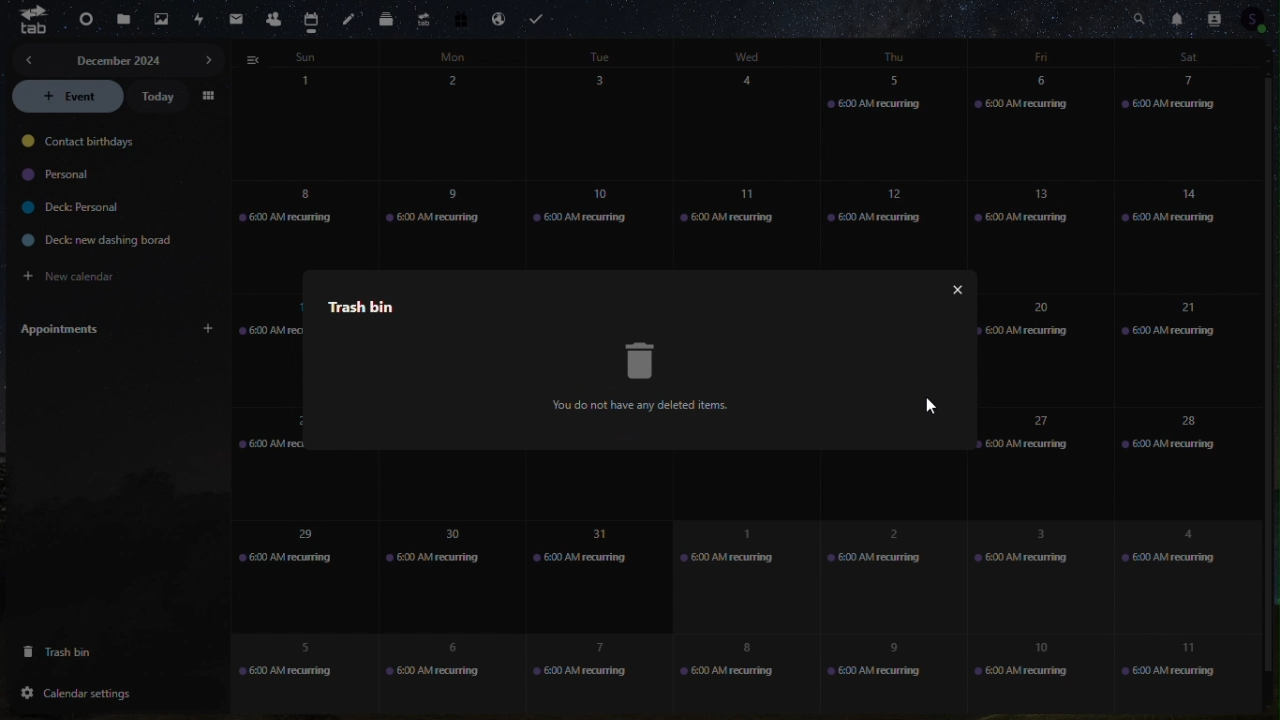 The width and height of the screenshot is (1280, 720). I want to click on 13, so click(1025, 211).